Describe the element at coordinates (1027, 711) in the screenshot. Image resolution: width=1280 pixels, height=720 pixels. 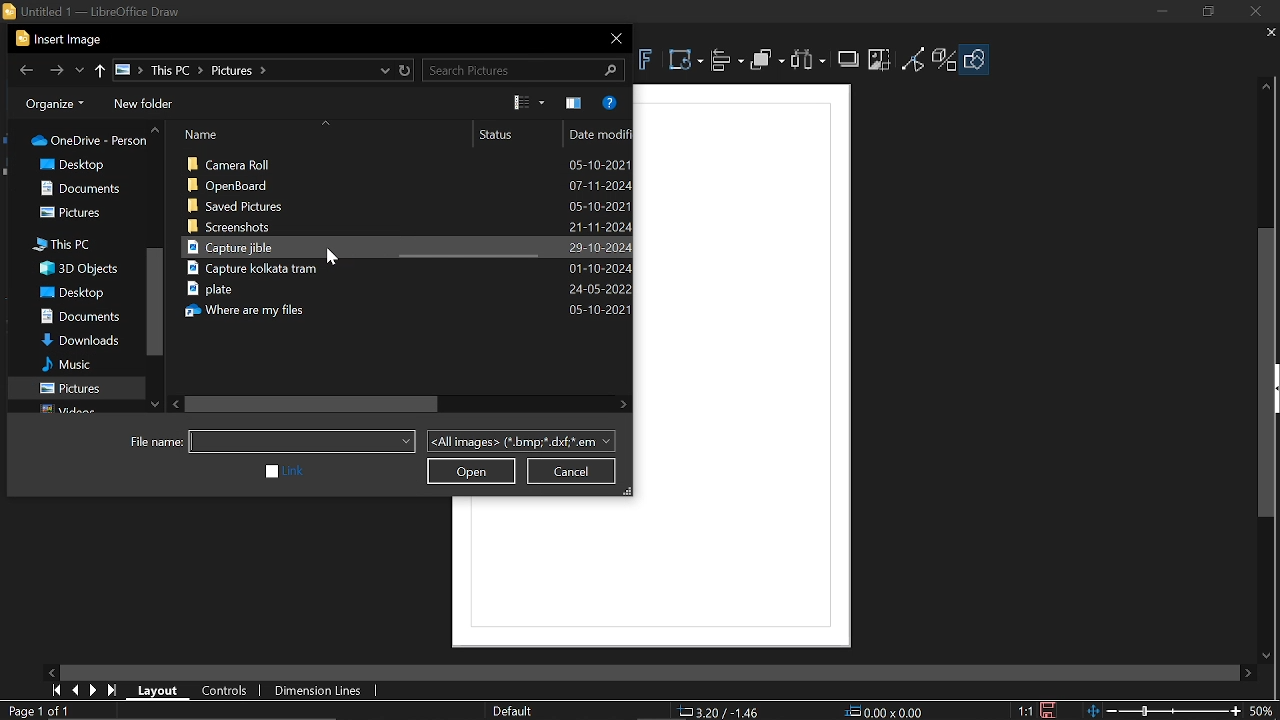
I see `Scaling factor of the document` at that location.